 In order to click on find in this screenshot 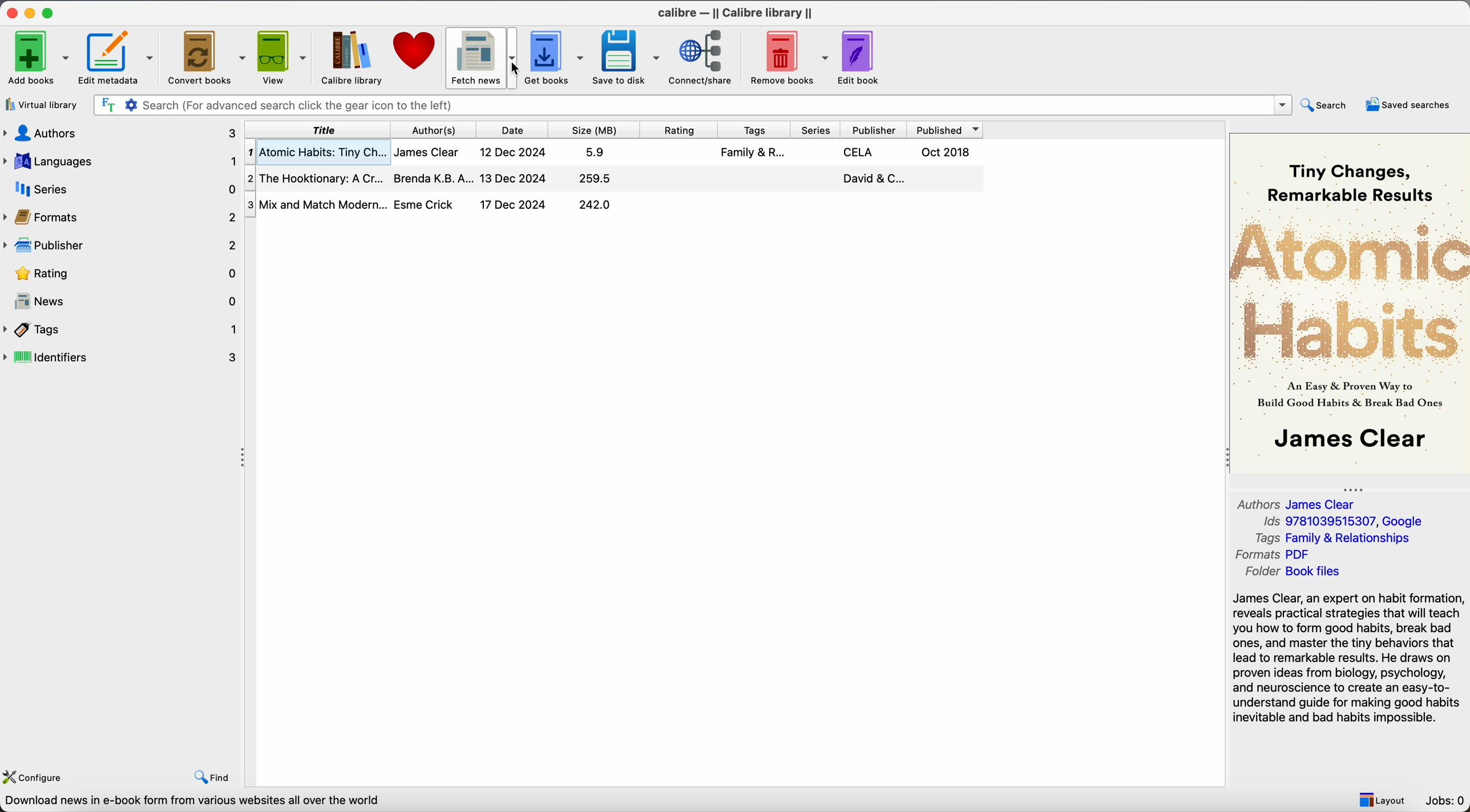, I will do `click(212, 778)`.